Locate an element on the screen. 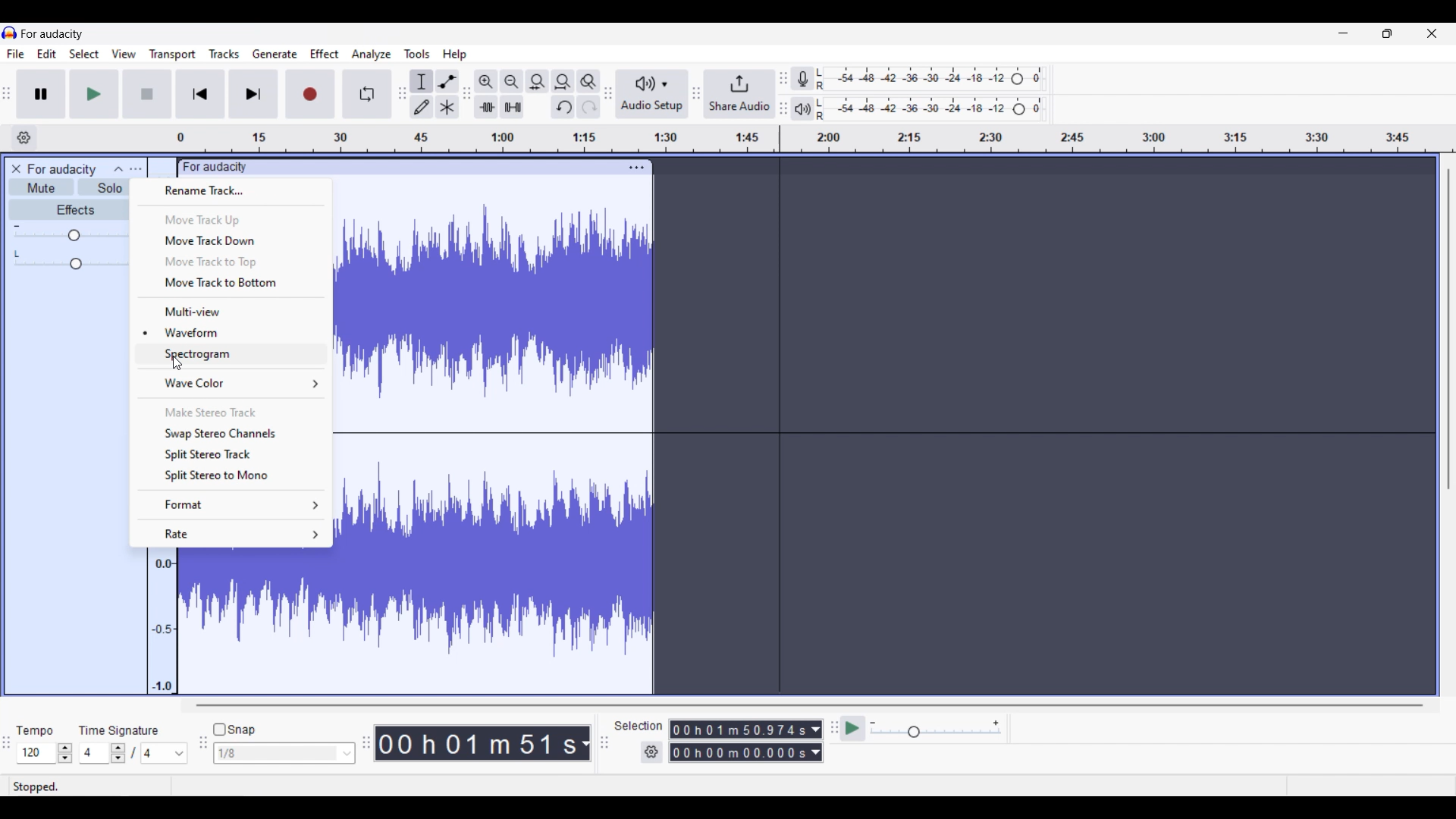 The height and width of the screenshot is (819, 1456). Pause is located at coordinates (42, 94).